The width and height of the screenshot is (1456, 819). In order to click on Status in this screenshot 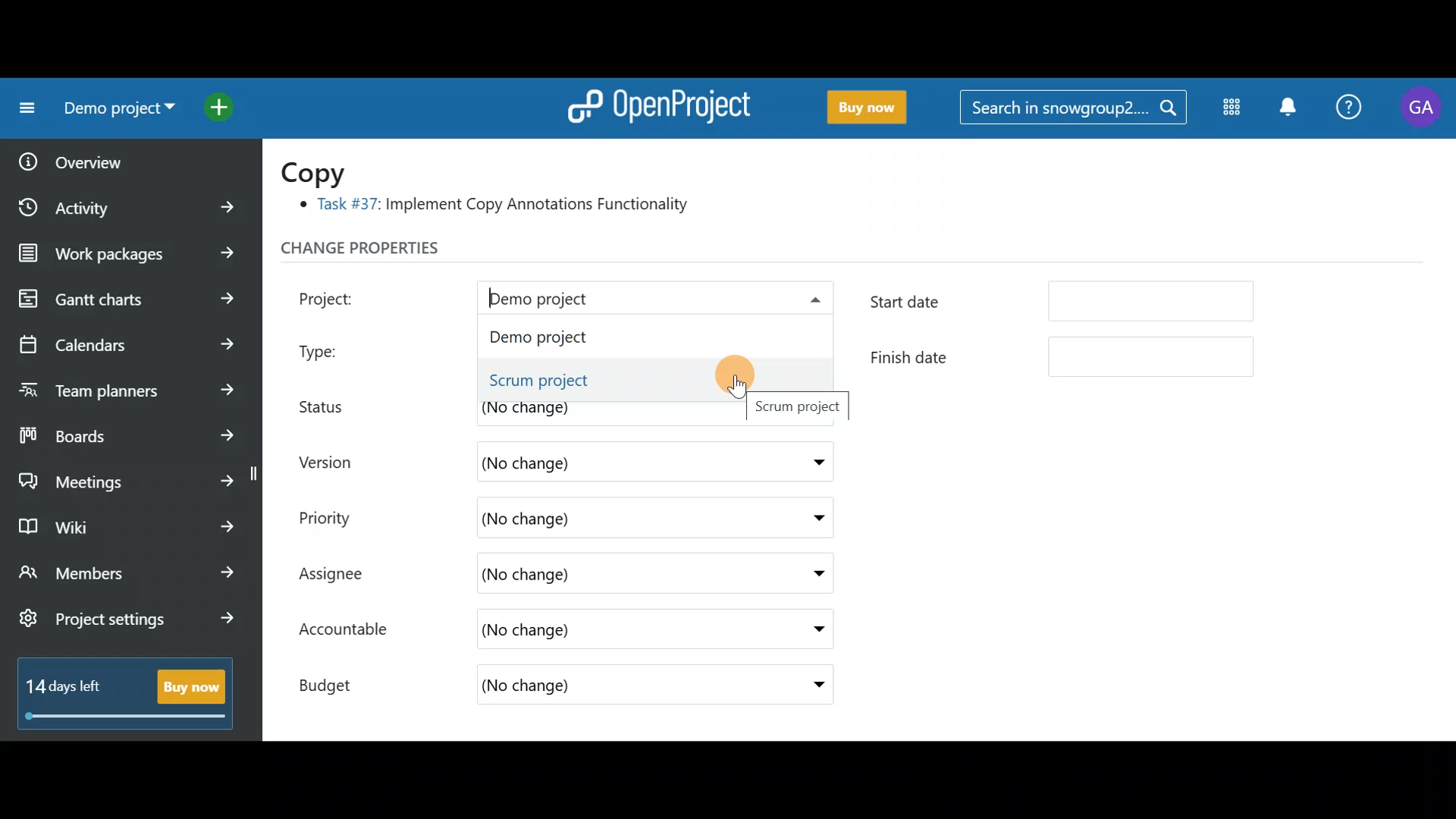, I will do `click(334, 404)`.